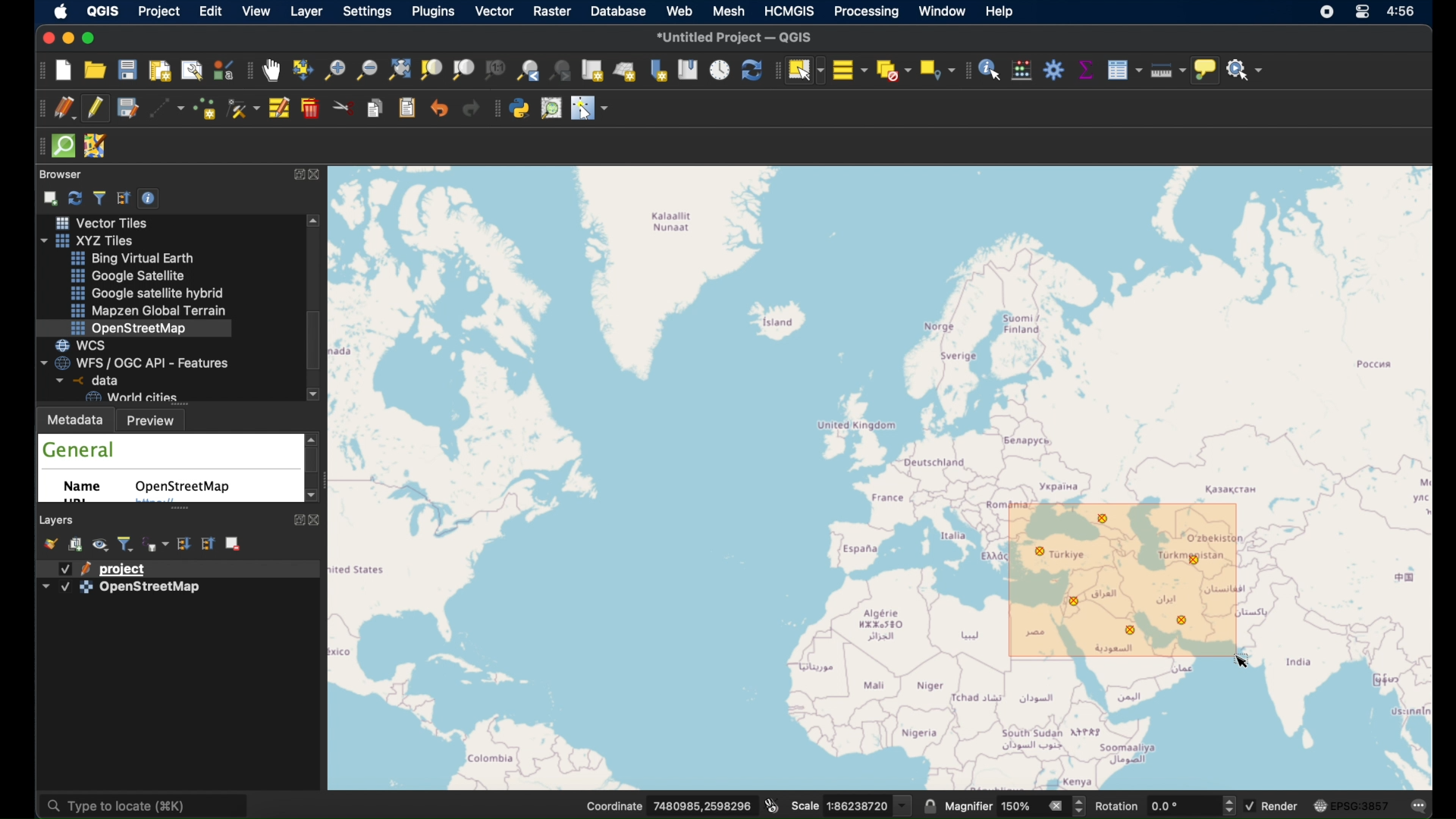  What do you see at coordinates (497, 71) in the screenshot?
I see `zoom to native resolution` at bounding box center [497, 71].